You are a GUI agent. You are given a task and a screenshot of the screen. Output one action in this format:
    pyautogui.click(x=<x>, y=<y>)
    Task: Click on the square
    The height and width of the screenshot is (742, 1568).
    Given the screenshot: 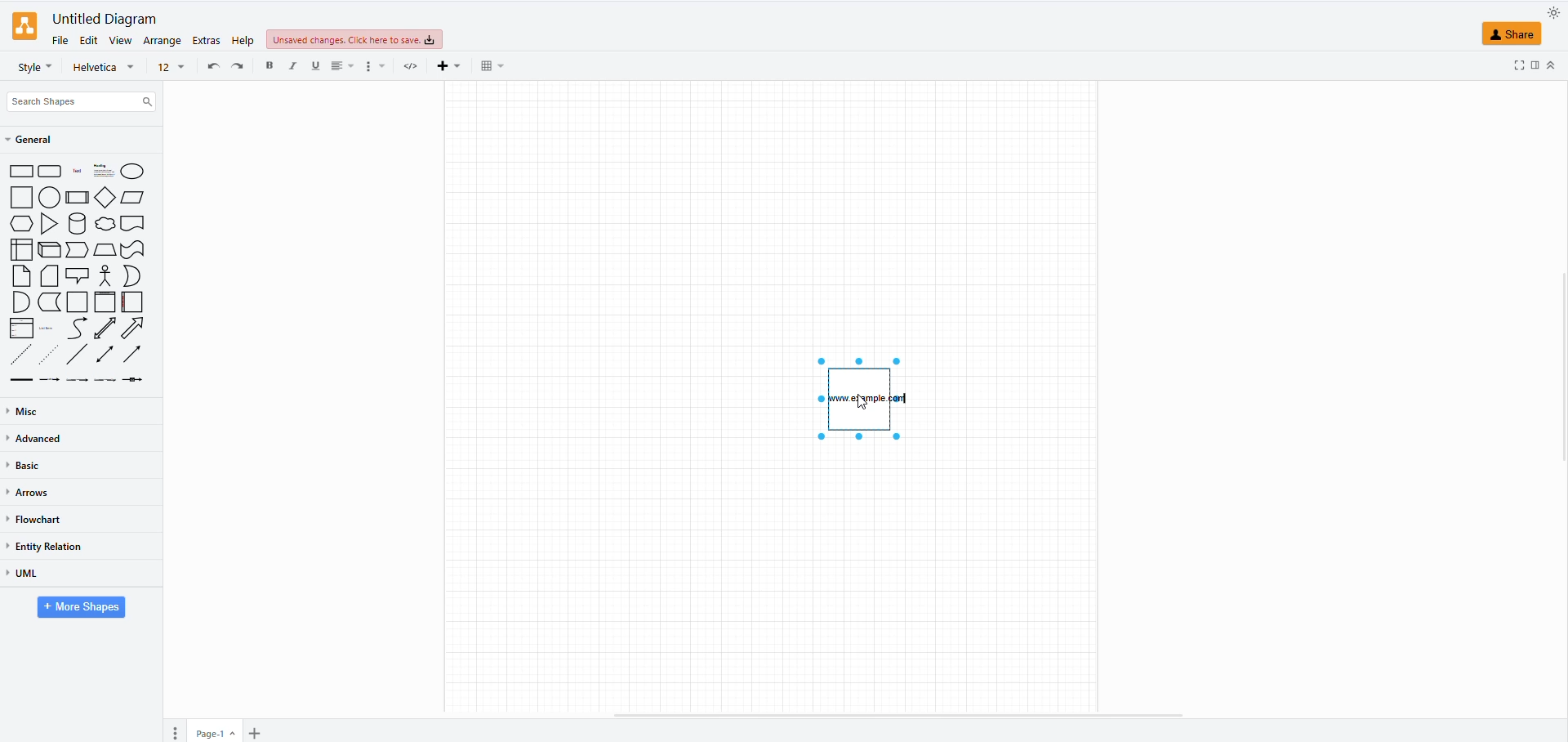 What is the action you would take?
    pyautogui.click(x=21, y=199)
    